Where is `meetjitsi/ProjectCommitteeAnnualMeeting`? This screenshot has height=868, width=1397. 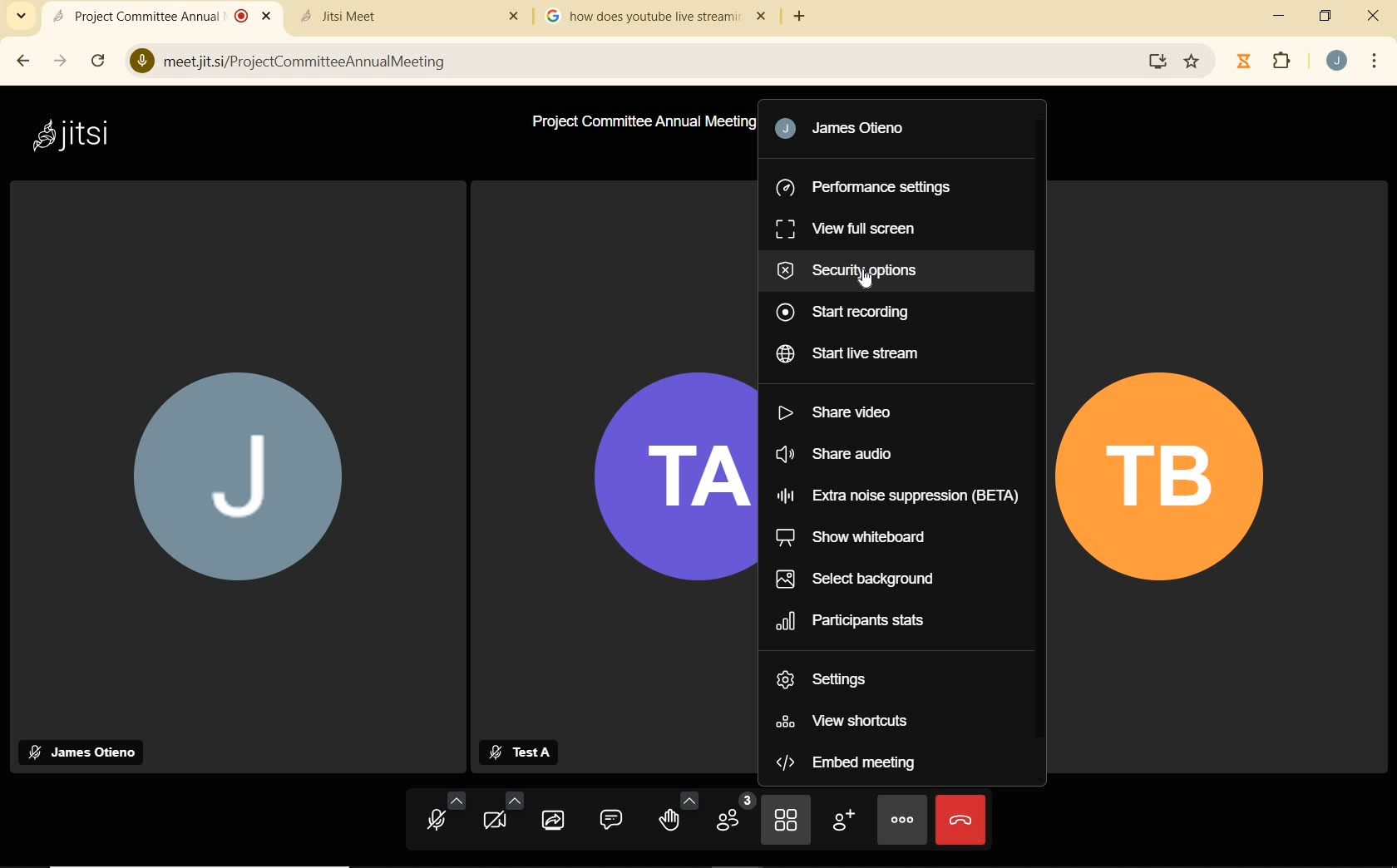
meetjitsi/ProjectCommitteeAnnualMeeting is located at coordinates (635, 63).